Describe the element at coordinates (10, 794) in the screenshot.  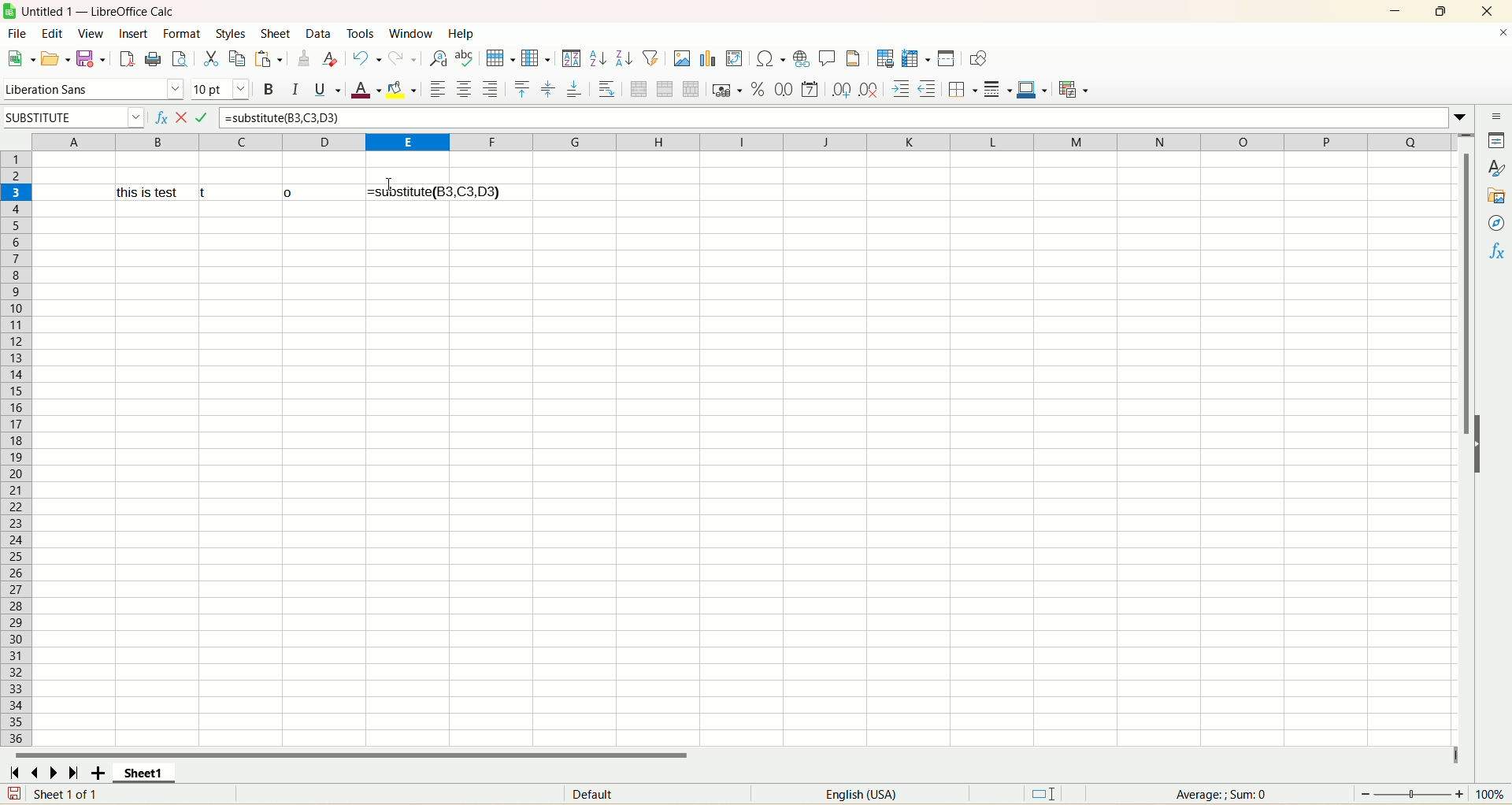
I see `save` at that location.